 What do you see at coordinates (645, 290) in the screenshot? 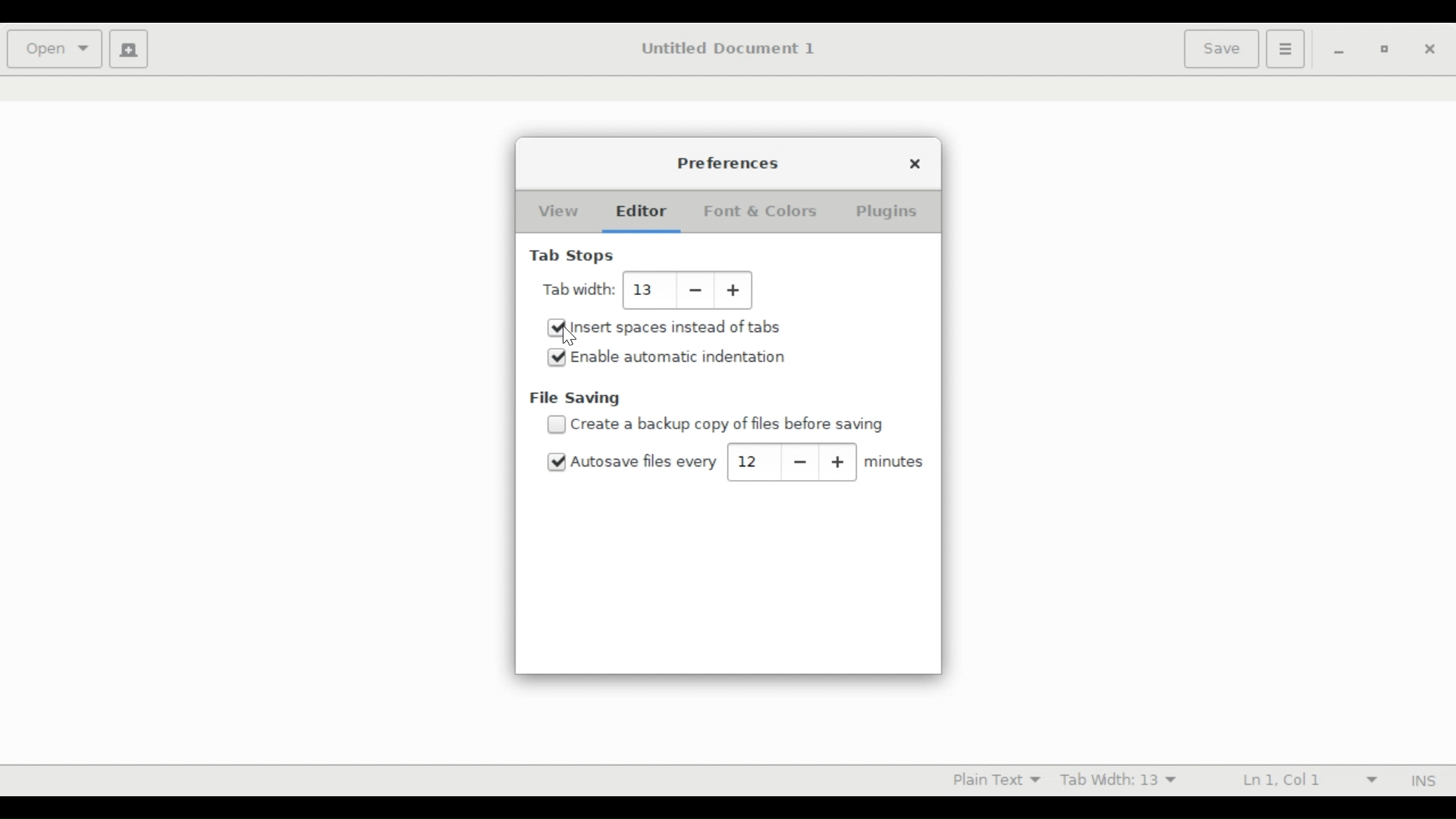
I see `13` at bounding box center [645, 290].